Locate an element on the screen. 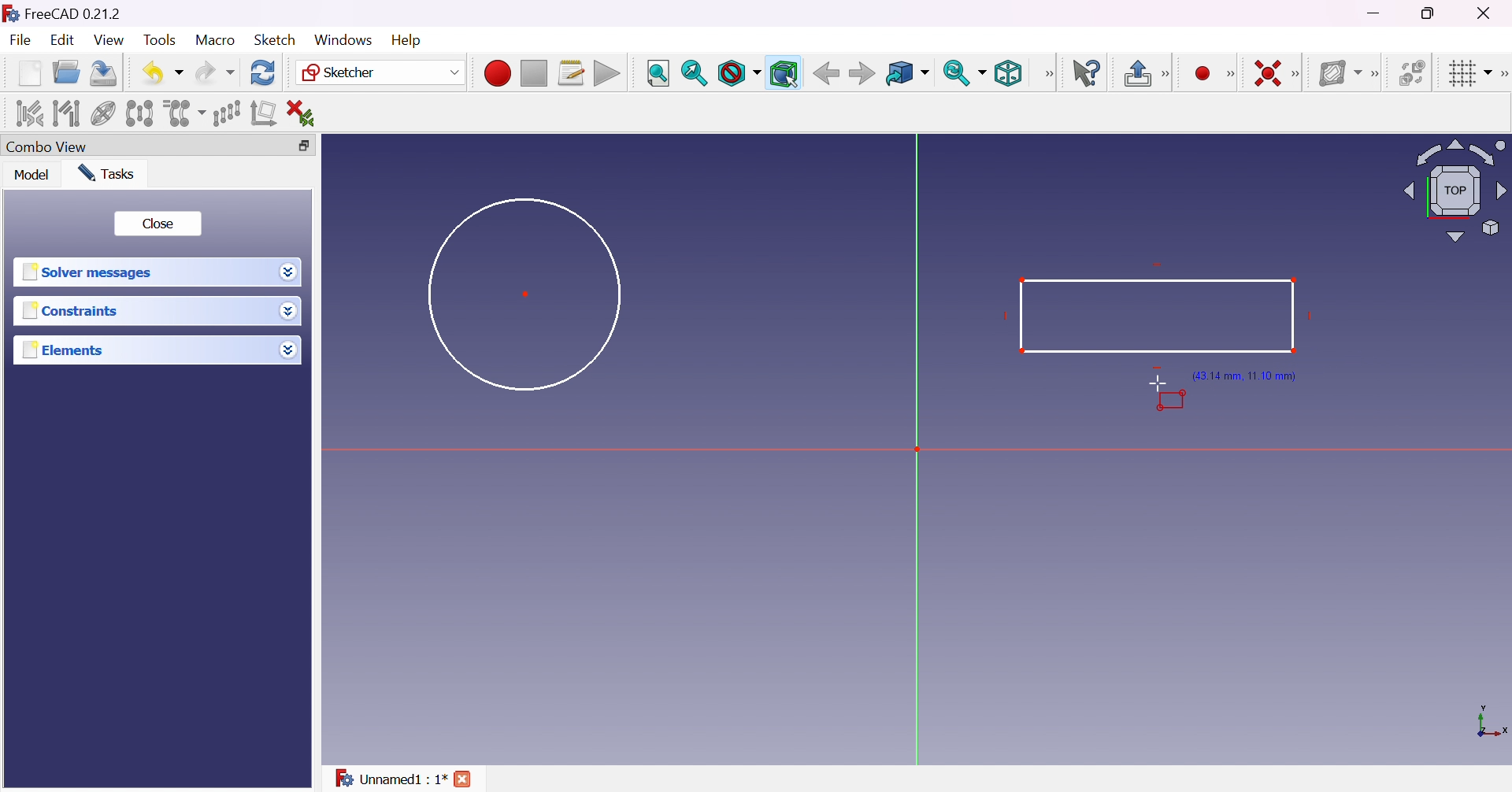 The height and width of the screenshot is (792, 1512). Close is located at coordinates (157, 224).